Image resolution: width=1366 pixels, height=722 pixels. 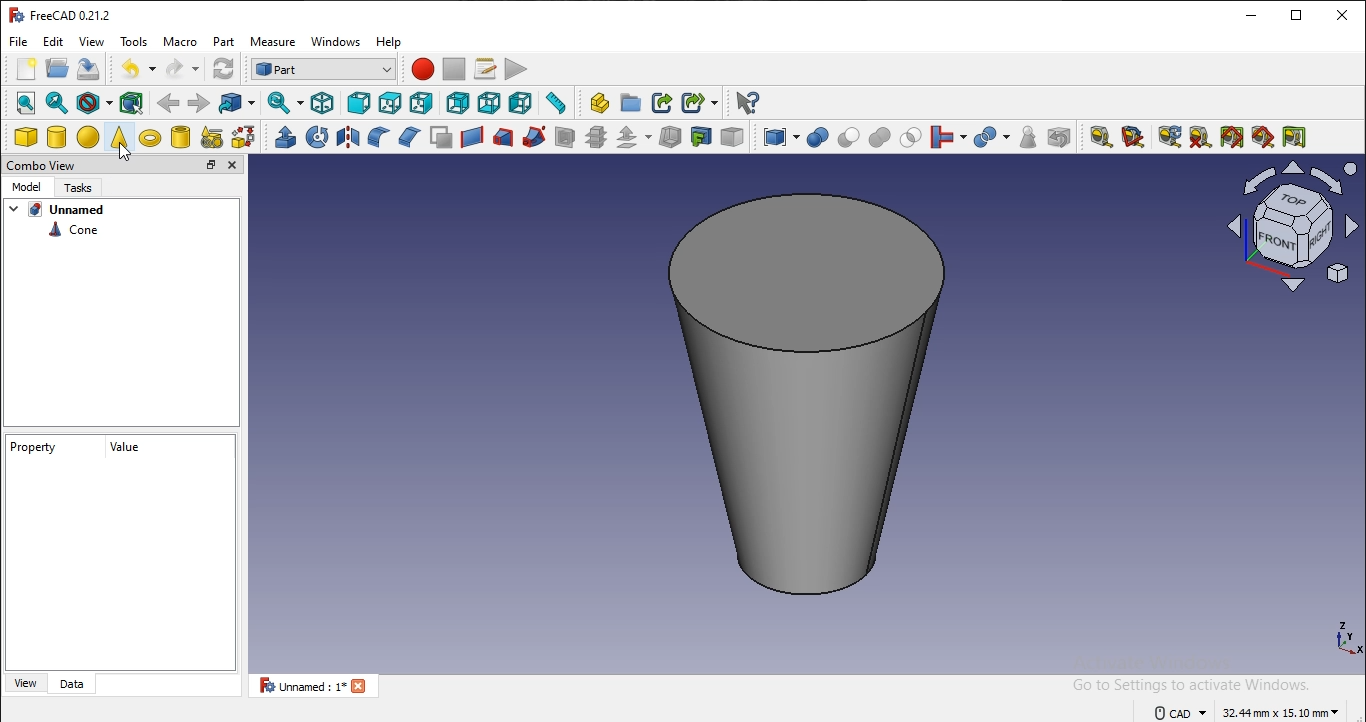 I want to click on minimize, so click(x=1249, y=15).